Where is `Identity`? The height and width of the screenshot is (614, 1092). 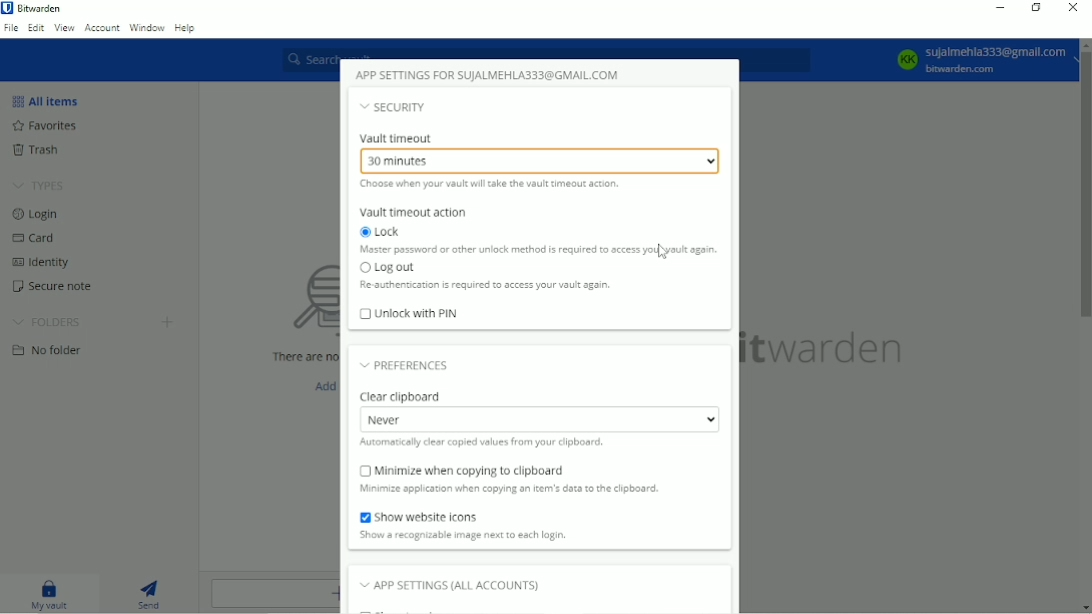
Identity is located at coordinates (51, 260).